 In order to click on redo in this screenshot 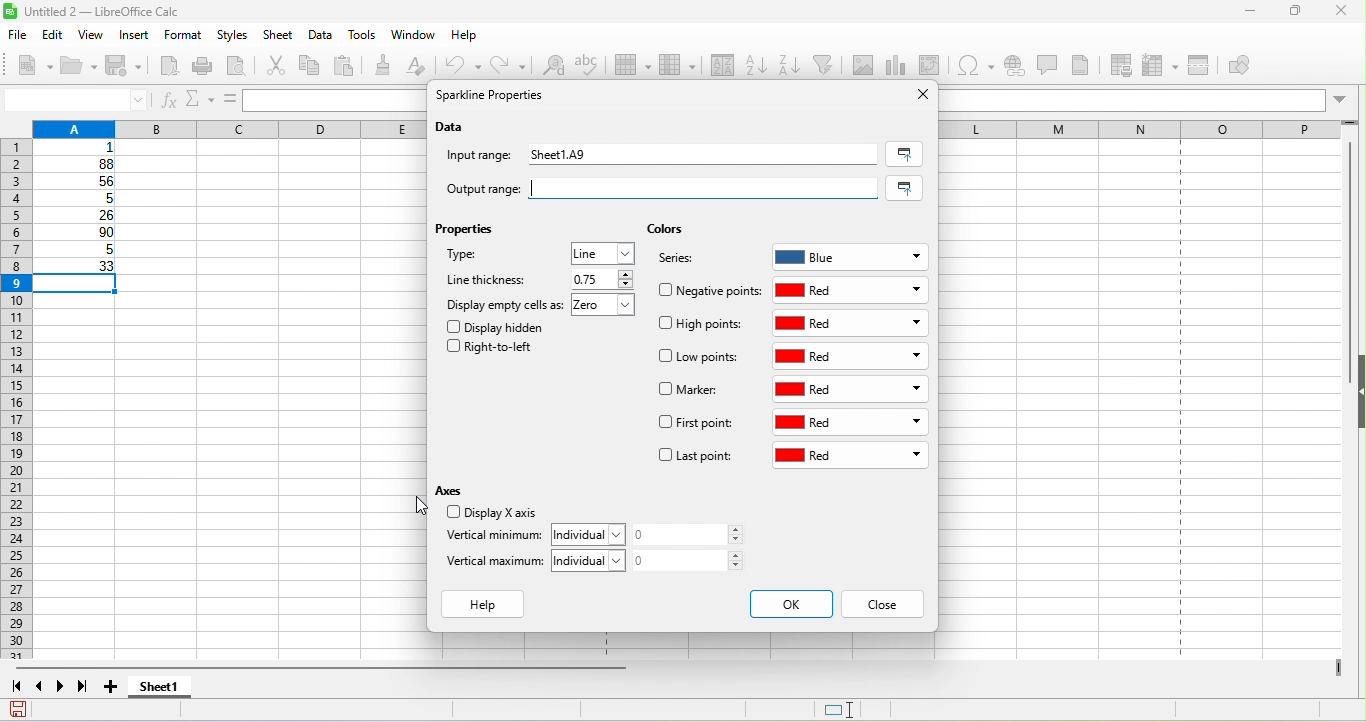, I will do `click(511, 64)`.